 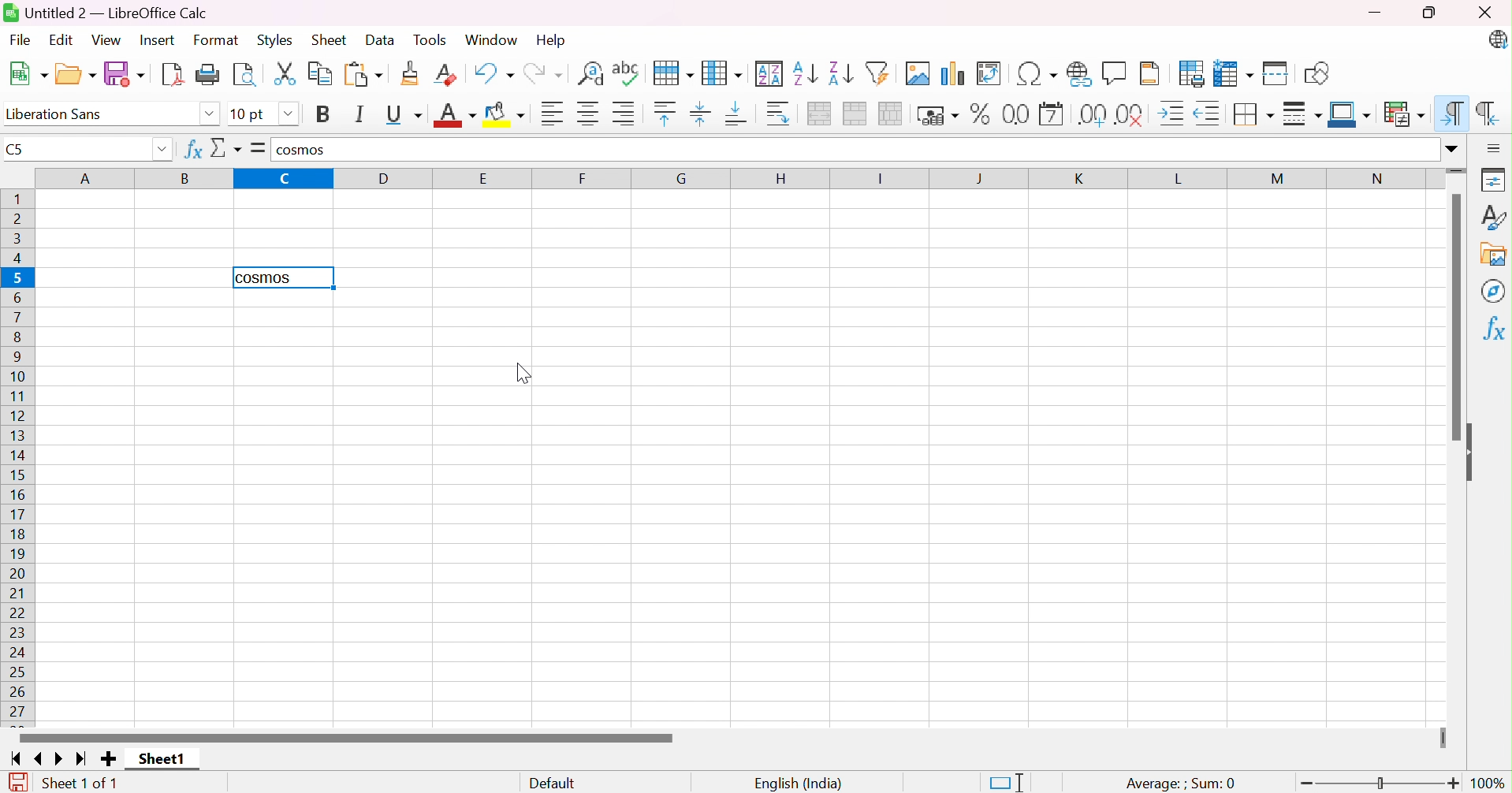 What do you see at coordinates (321, 75) in the screenshot?
I see `Copy` at bounding box center [321, 75].